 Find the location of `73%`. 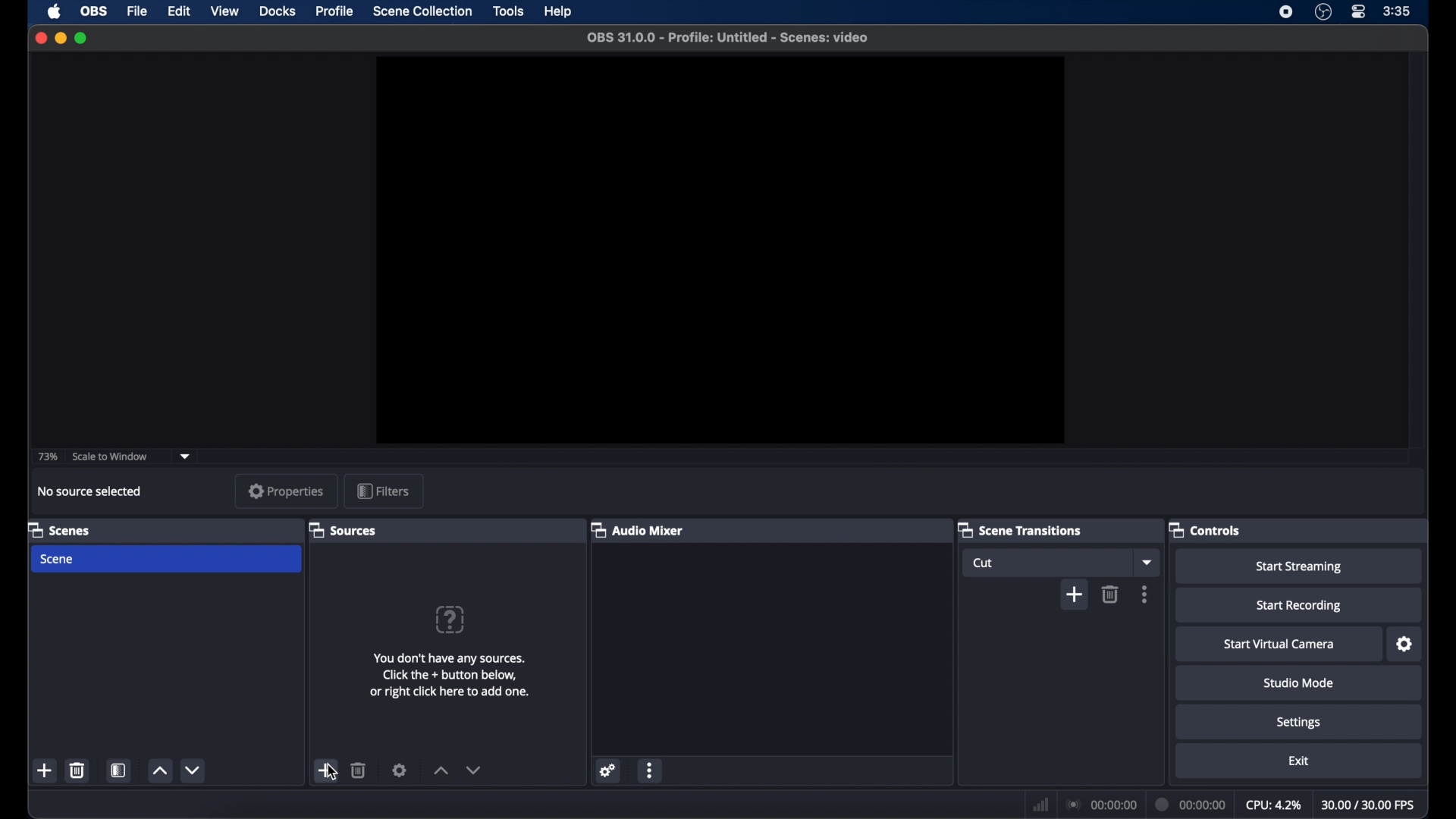

73% is located at coordinates (47, 457).